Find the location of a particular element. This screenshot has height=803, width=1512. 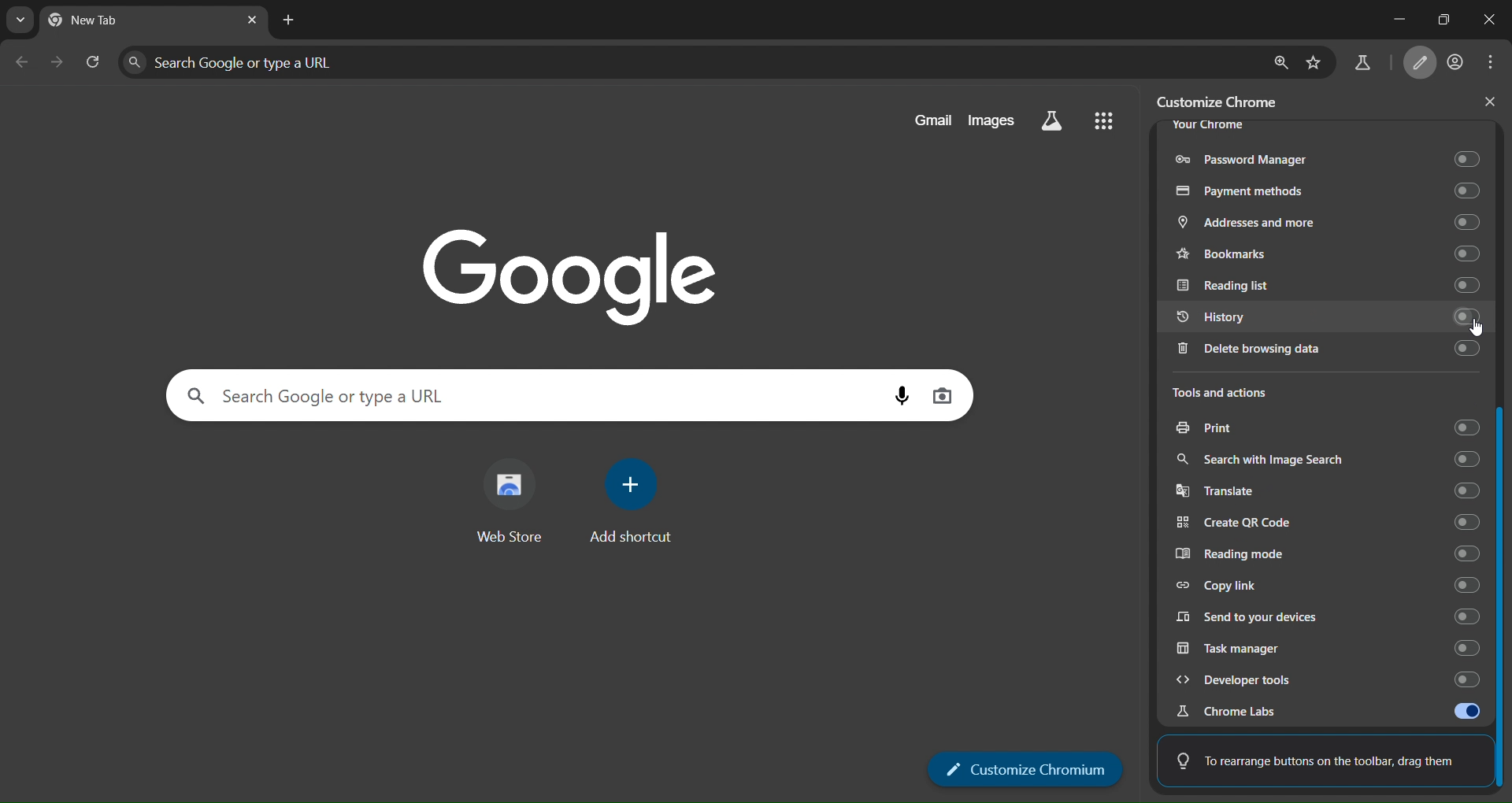

slider is located at coordinates (1503, 459).